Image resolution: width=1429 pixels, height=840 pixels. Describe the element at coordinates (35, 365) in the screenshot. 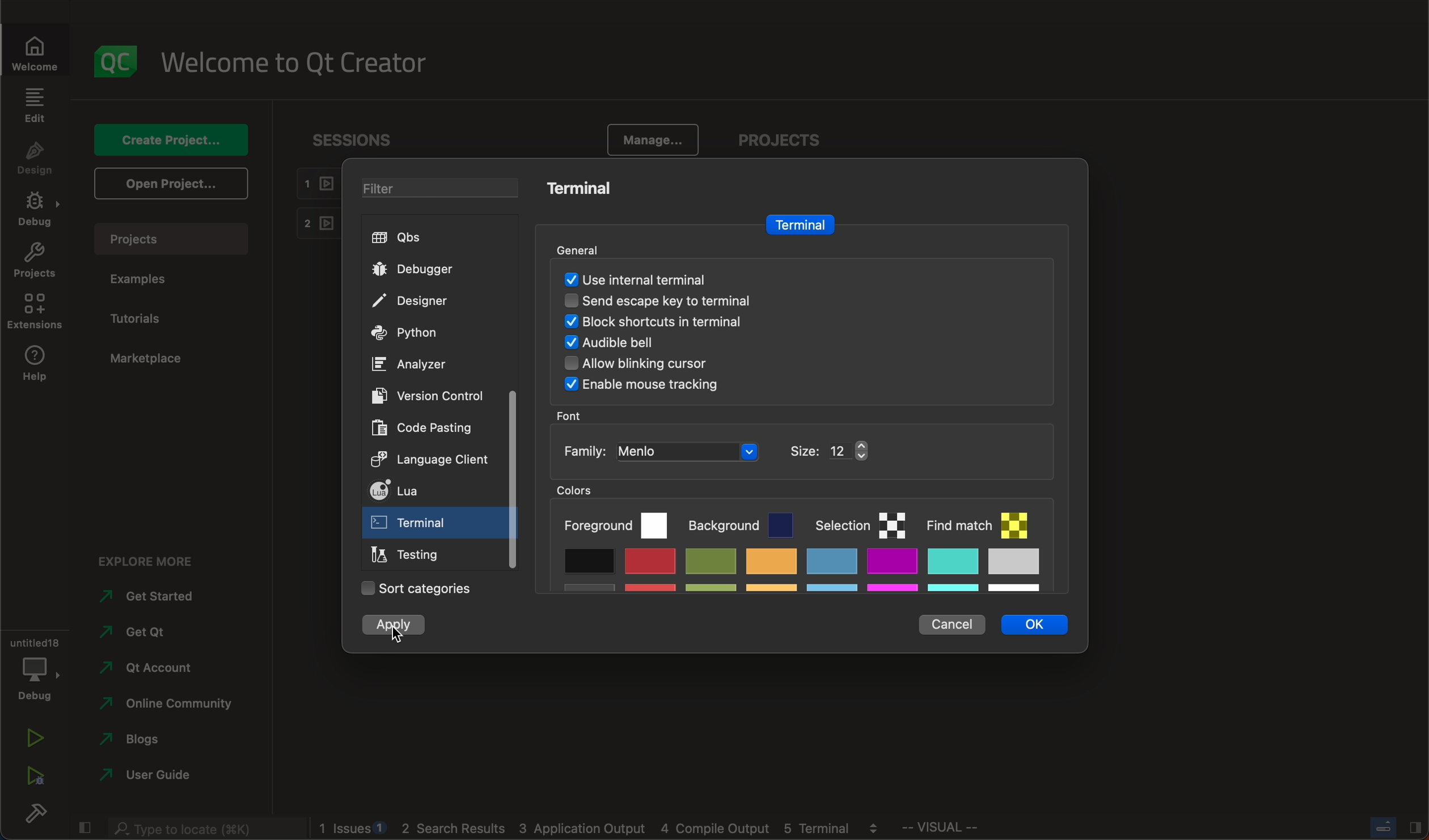

I see `help` at that location.